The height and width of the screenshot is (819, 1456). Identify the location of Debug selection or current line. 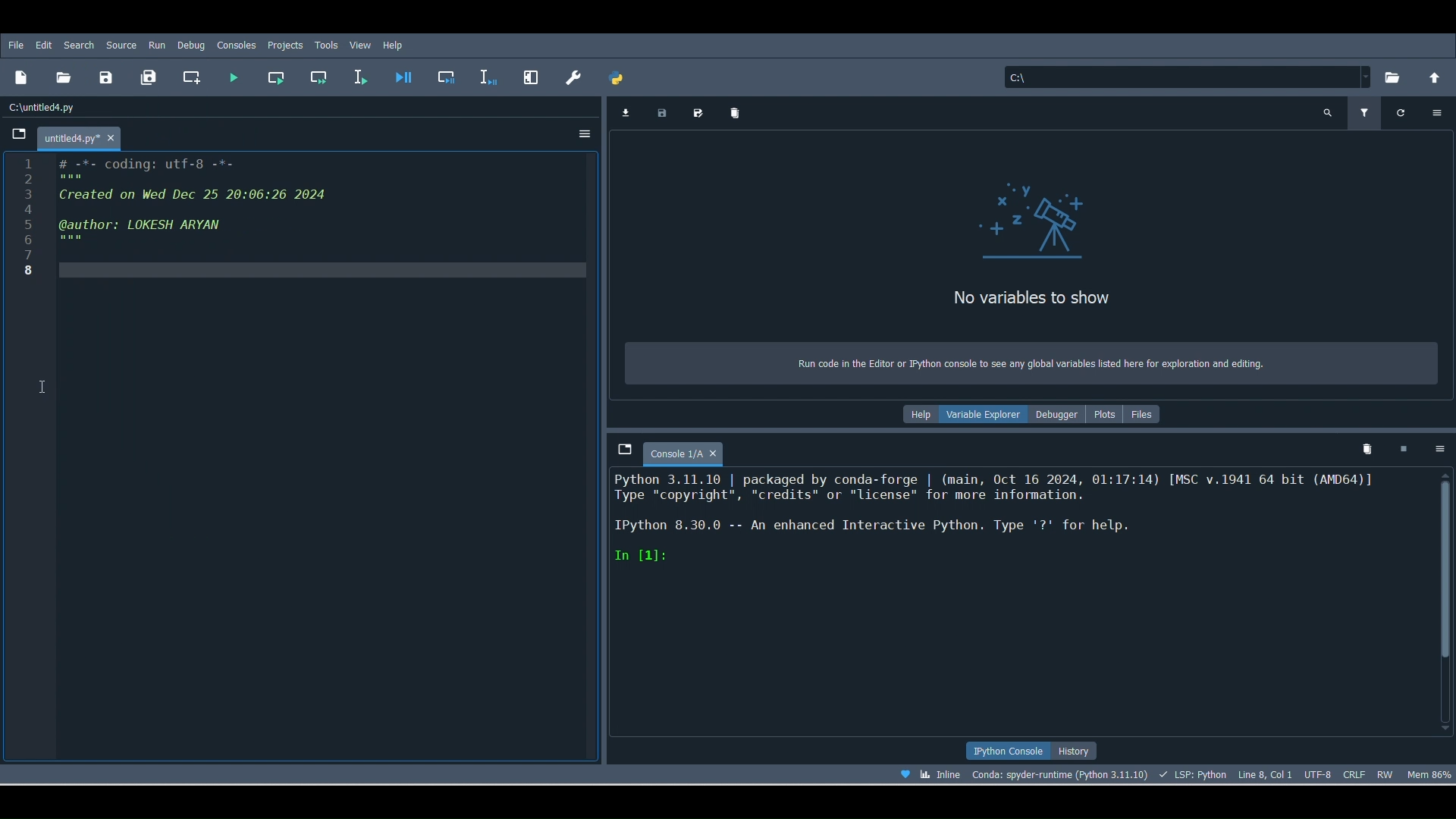
(488, 74).